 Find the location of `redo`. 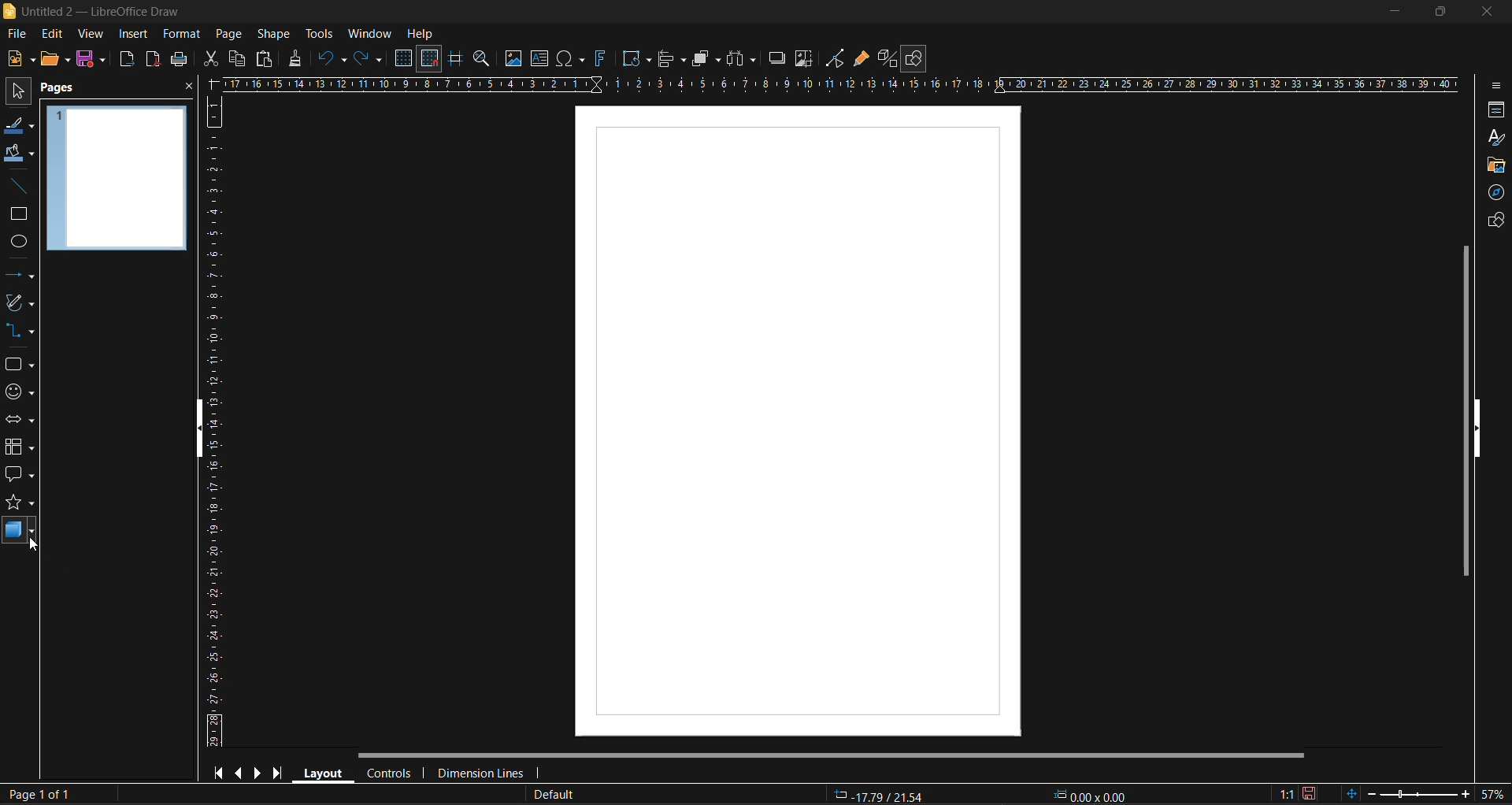

redo is located at coordinates (366, 61).